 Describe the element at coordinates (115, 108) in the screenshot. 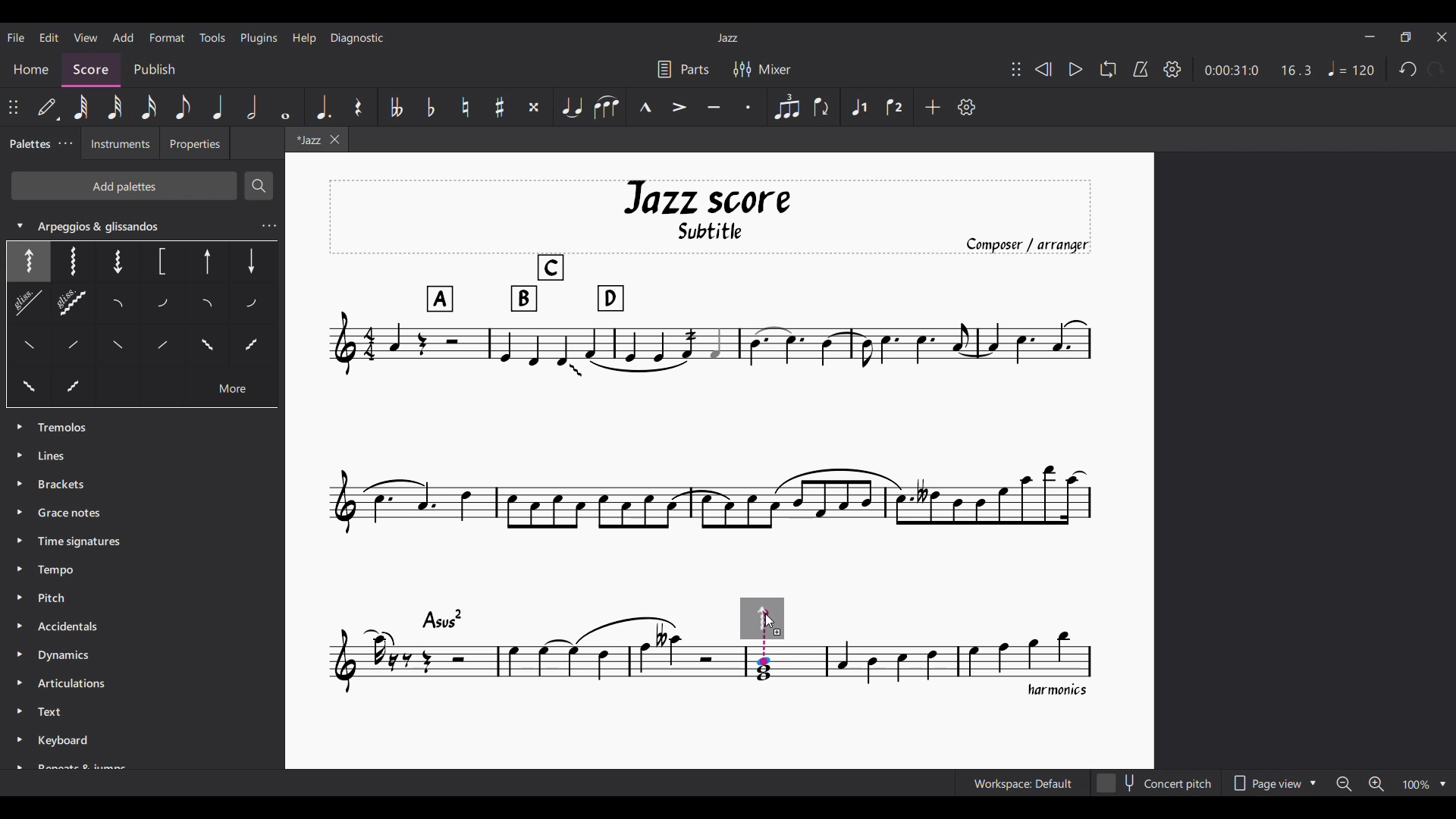

I see `32nd note` at that location.